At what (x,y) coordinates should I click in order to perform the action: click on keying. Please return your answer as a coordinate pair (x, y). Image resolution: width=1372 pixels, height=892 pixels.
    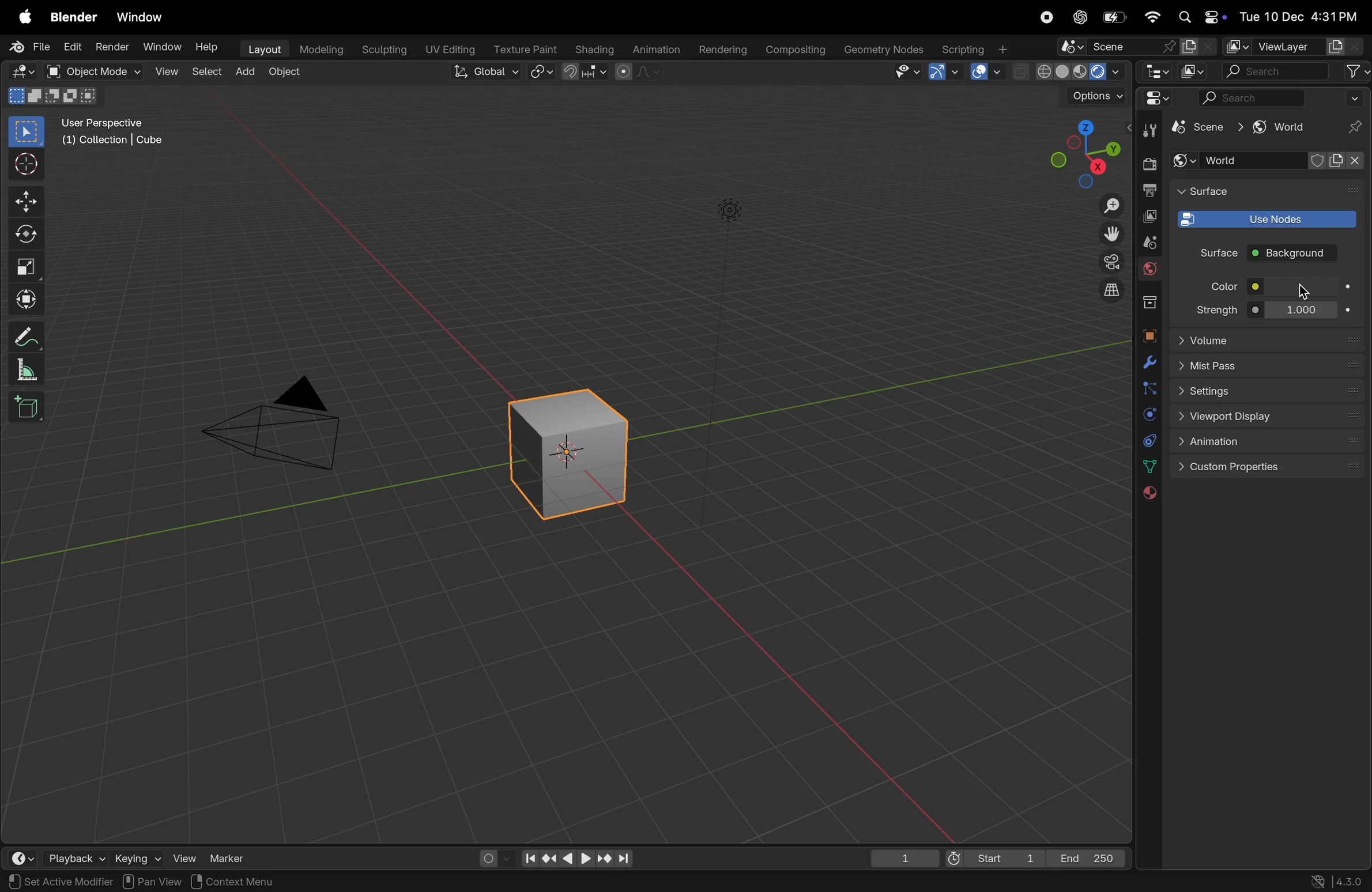
    Looking at the image, I should click on (138, 856).